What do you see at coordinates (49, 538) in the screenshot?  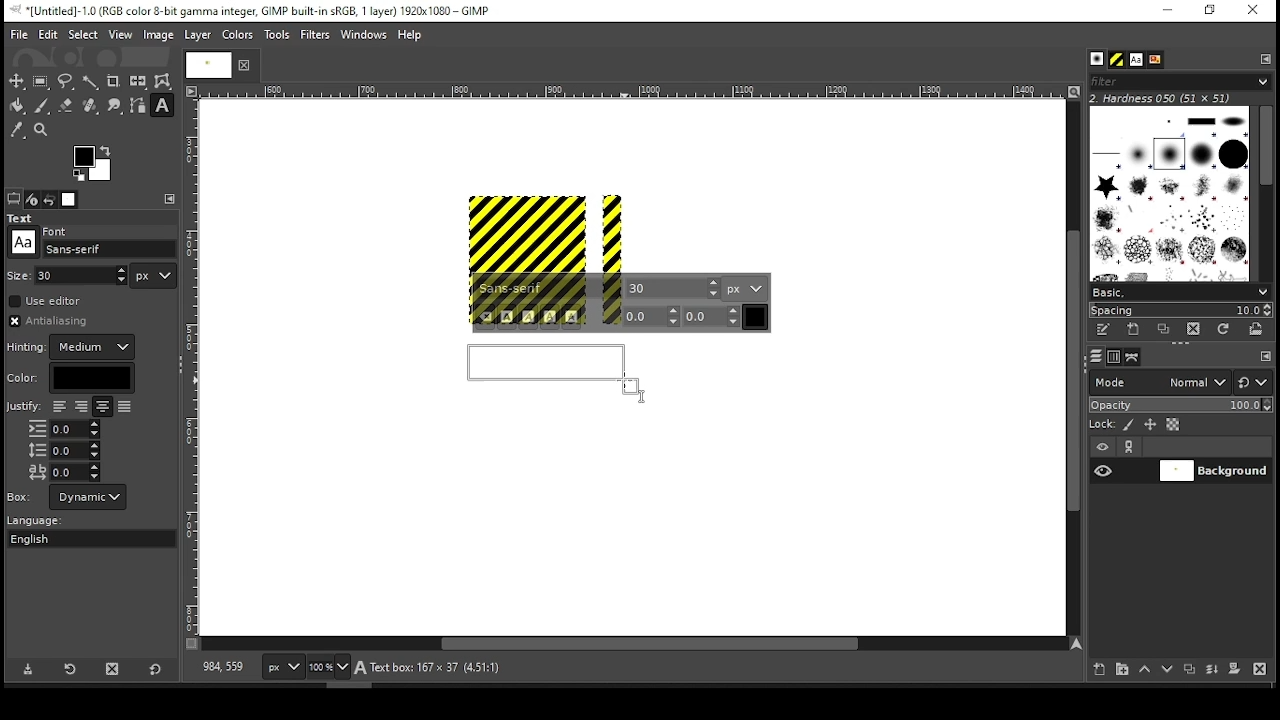 I see `english` at bounding box center [49, 538].